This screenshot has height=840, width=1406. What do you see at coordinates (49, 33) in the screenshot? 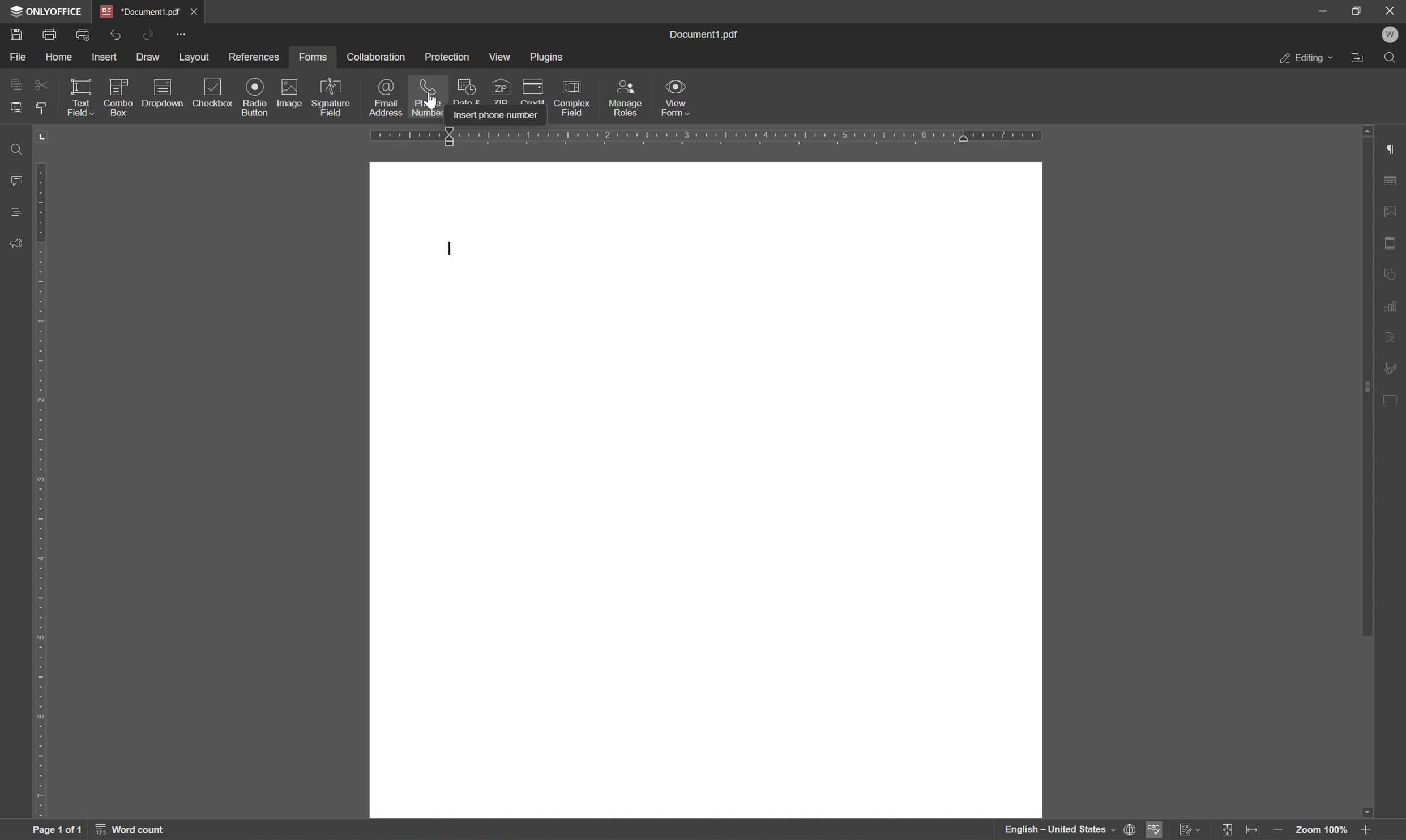
I see `print` at bounding box center [49, 33].